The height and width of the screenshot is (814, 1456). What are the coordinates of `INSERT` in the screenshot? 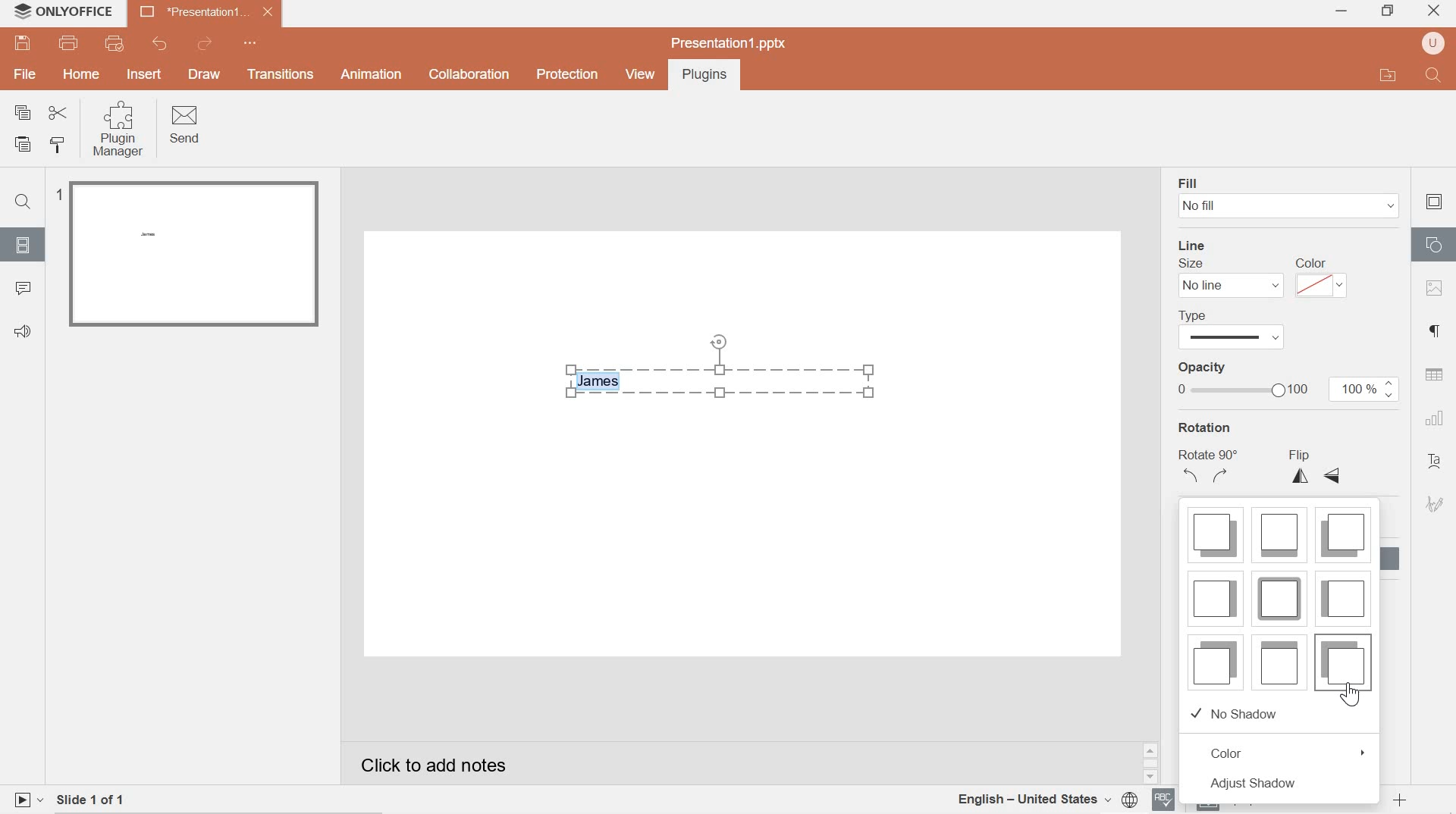 It's located at (146, 74).